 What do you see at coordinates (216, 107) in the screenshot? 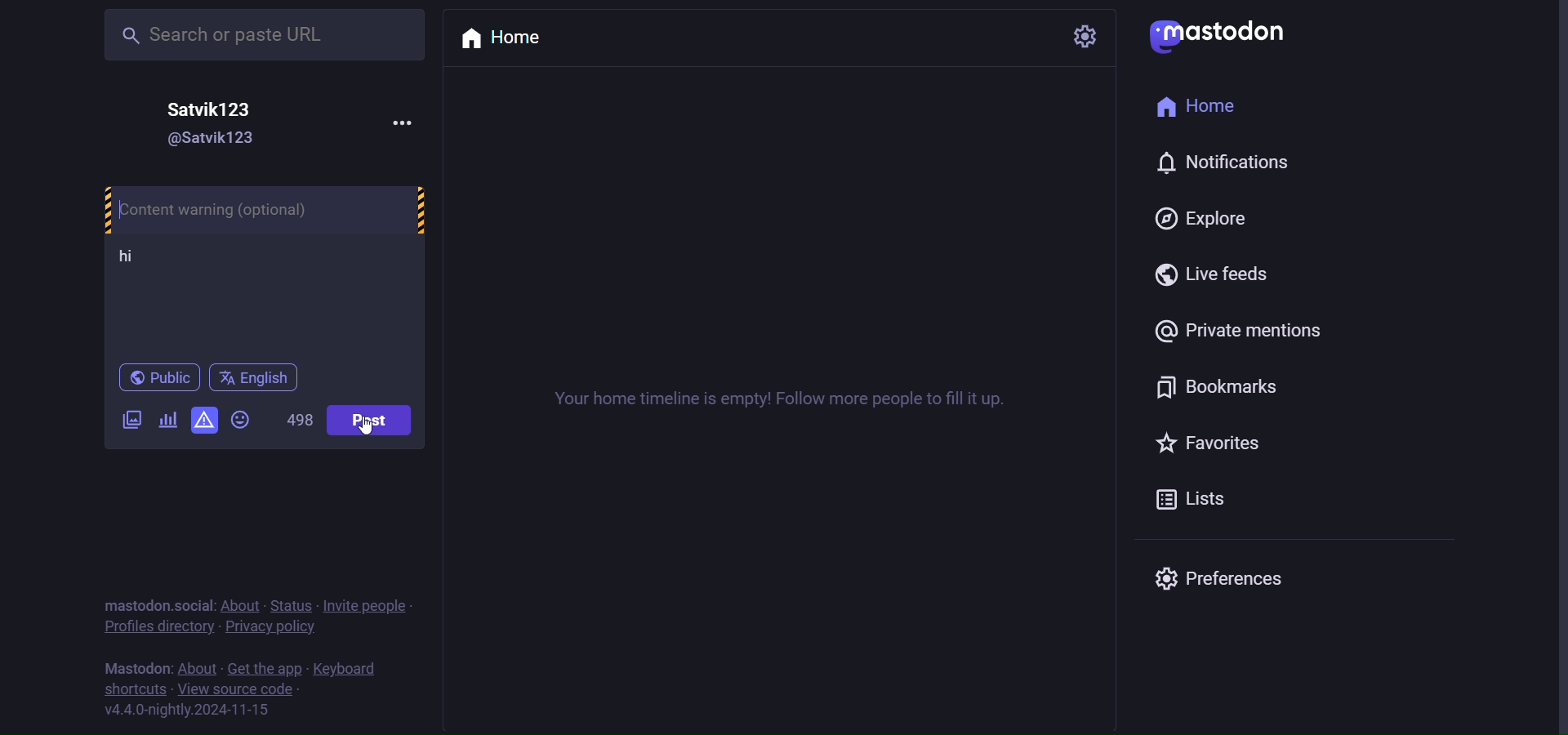
I see `Satvik123` at bounding box center [216, 107].